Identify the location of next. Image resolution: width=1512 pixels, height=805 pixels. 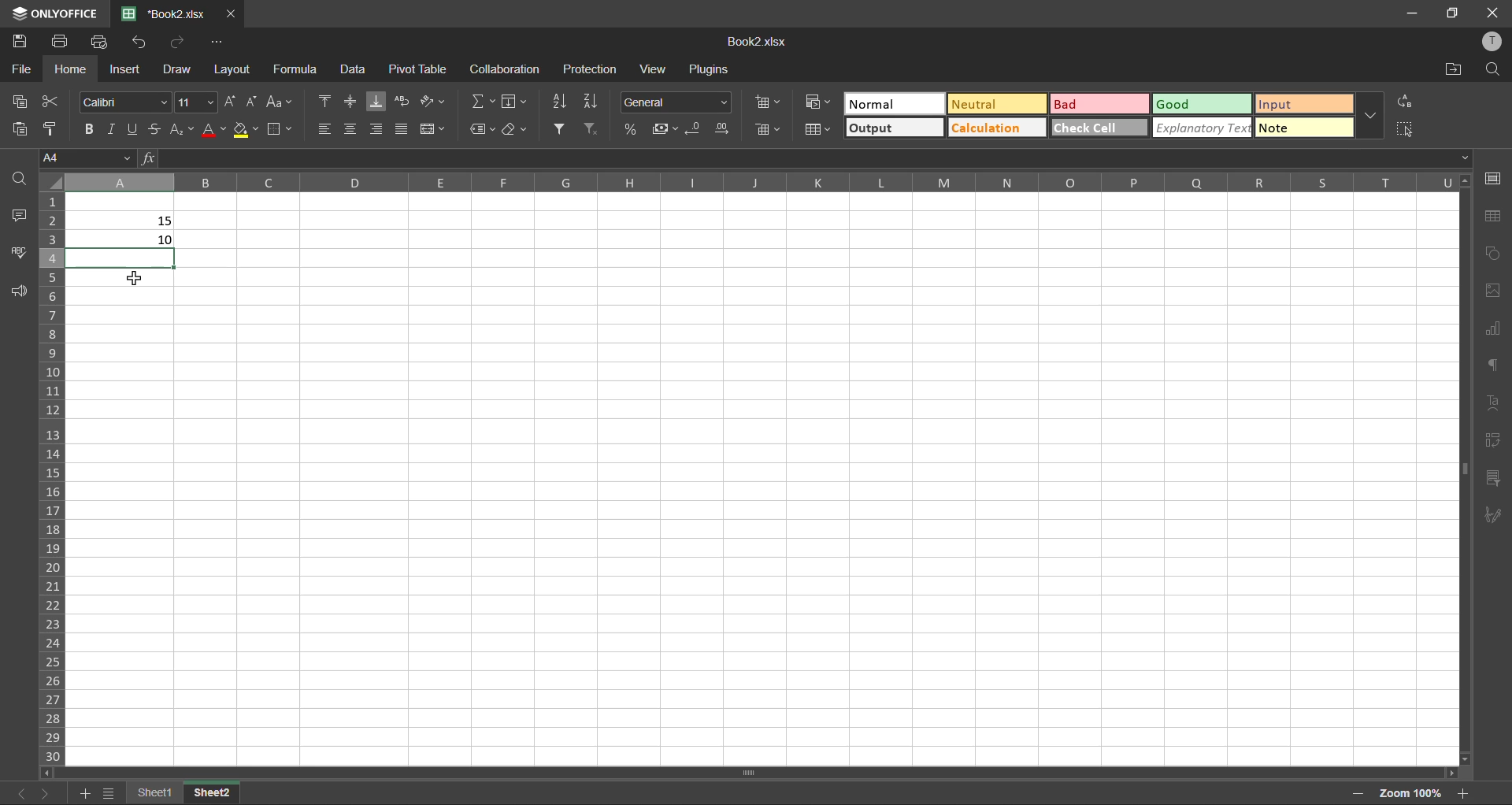
(46, 792).